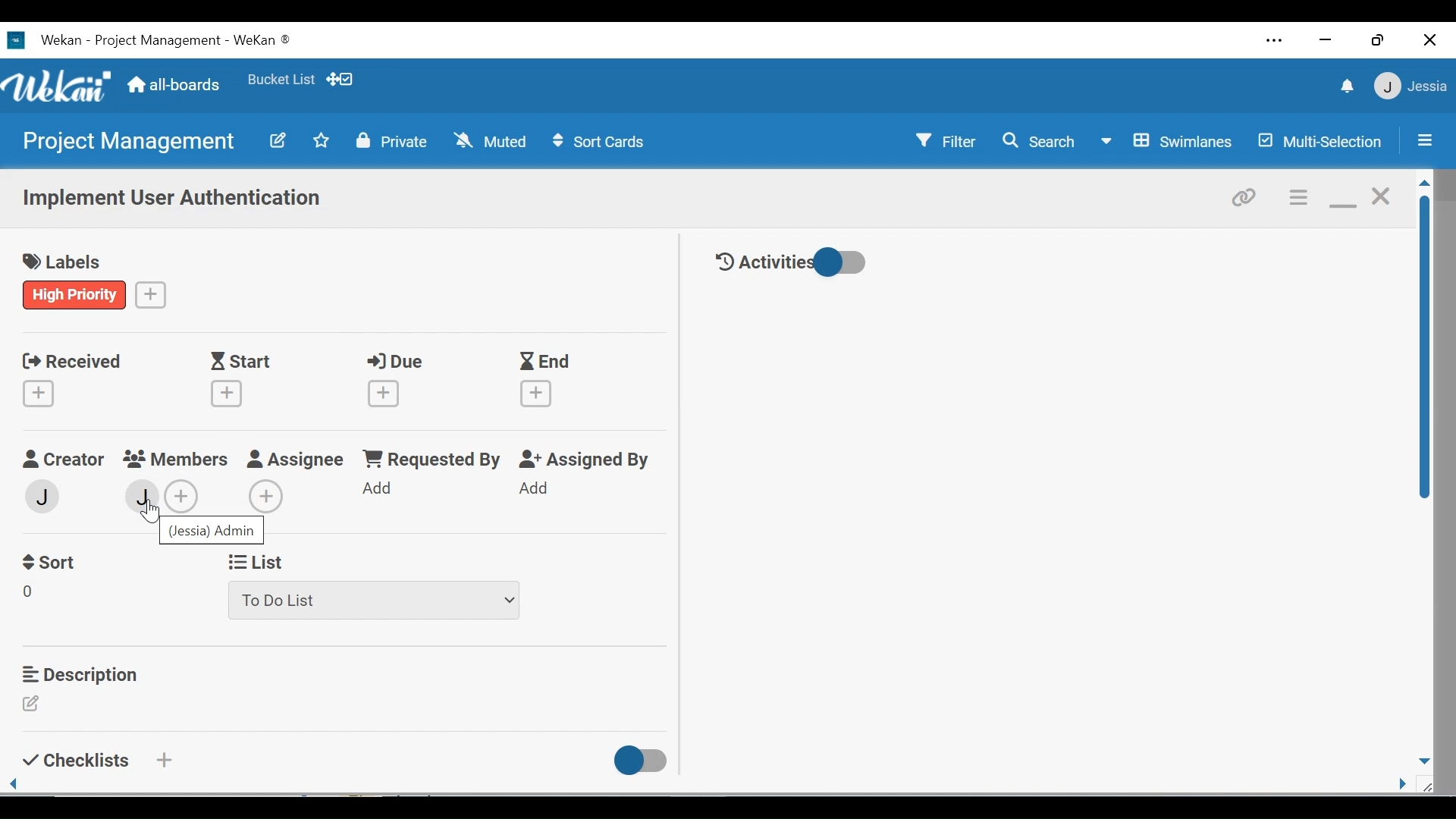 This screenshot has width=1456, height=819. Describe the element at coordinates (73, 760) in the screenshot. I see `Checklists` at that location.